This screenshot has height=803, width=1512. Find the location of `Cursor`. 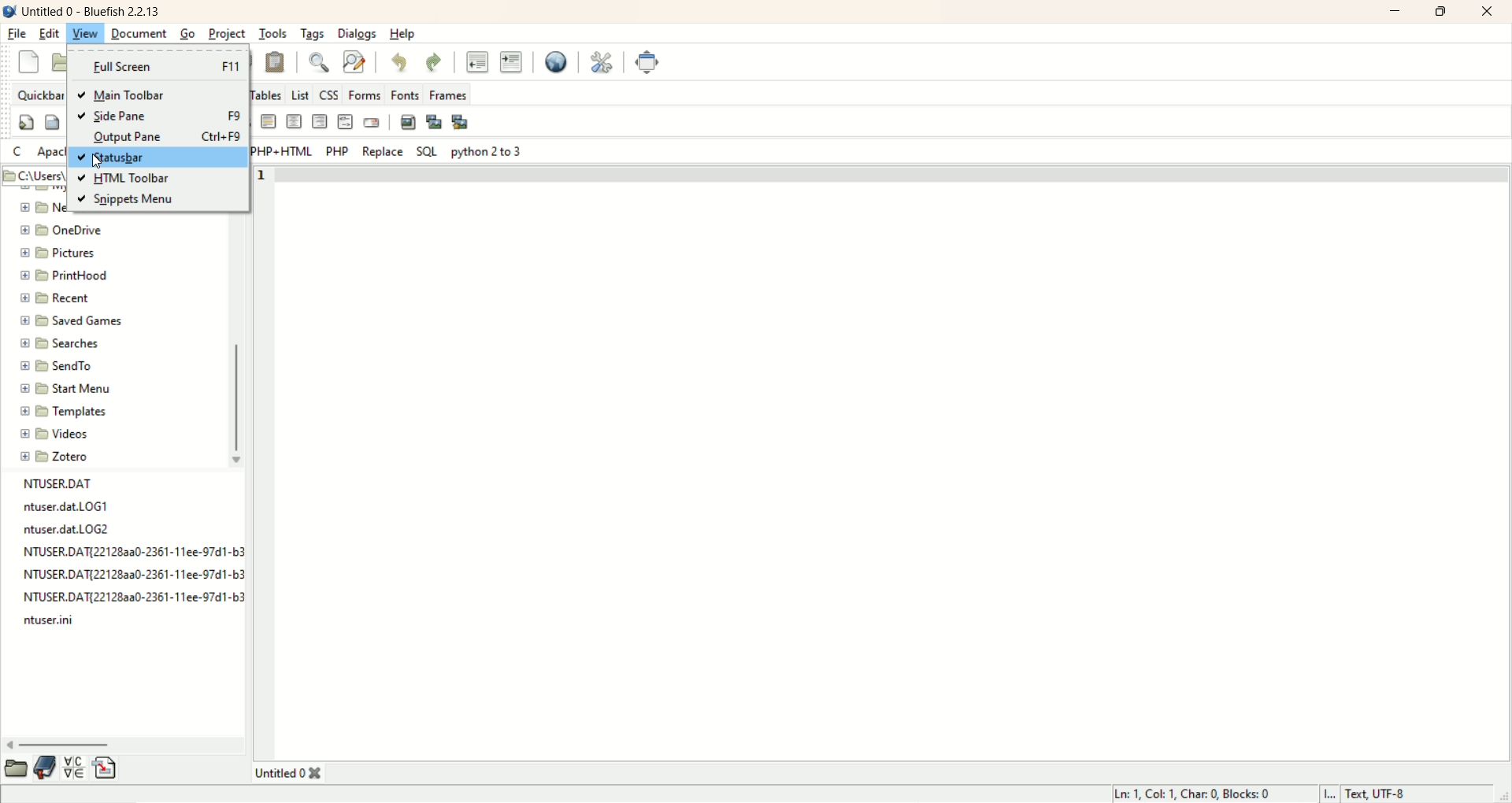

Cursor is located at coordinates (98, 162).